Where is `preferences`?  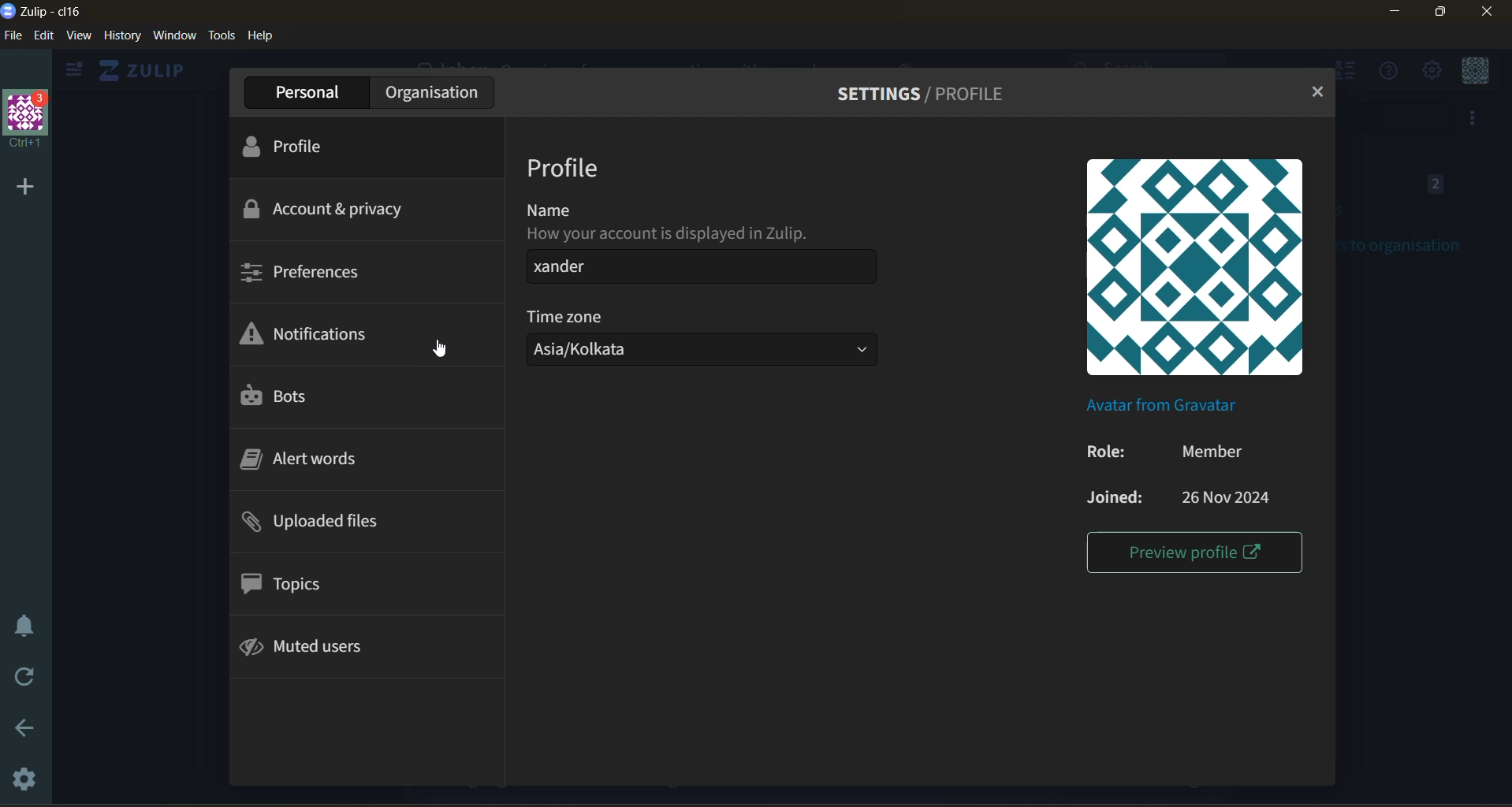 preferences is located at coordinates (308, 270).